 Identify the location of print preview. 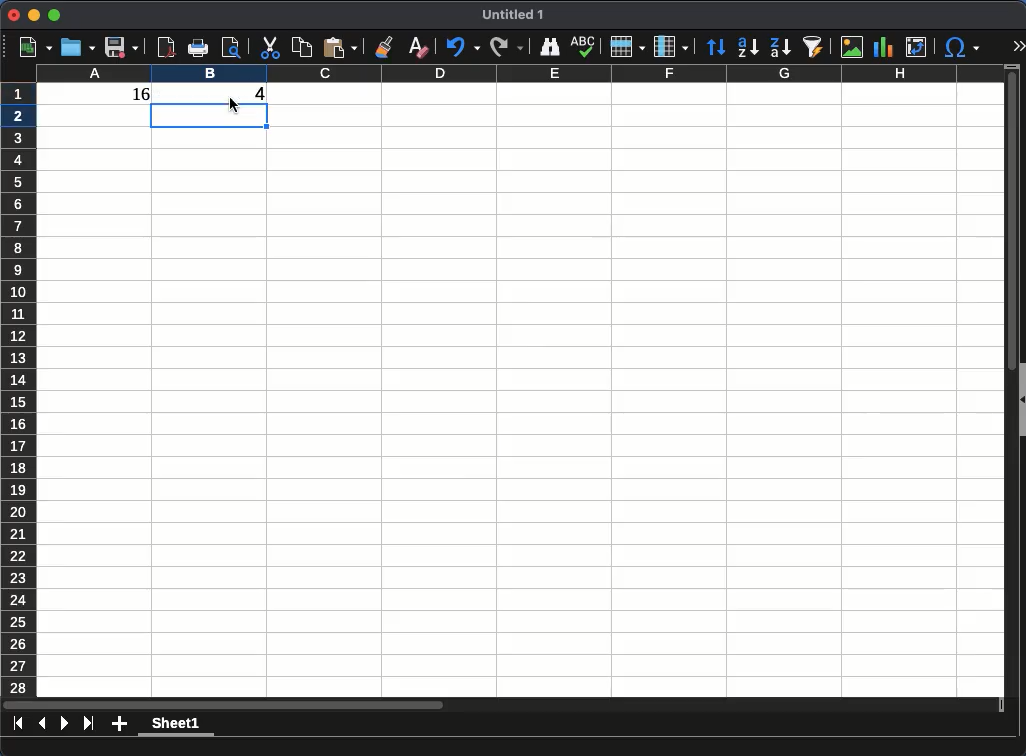
(232, 50).